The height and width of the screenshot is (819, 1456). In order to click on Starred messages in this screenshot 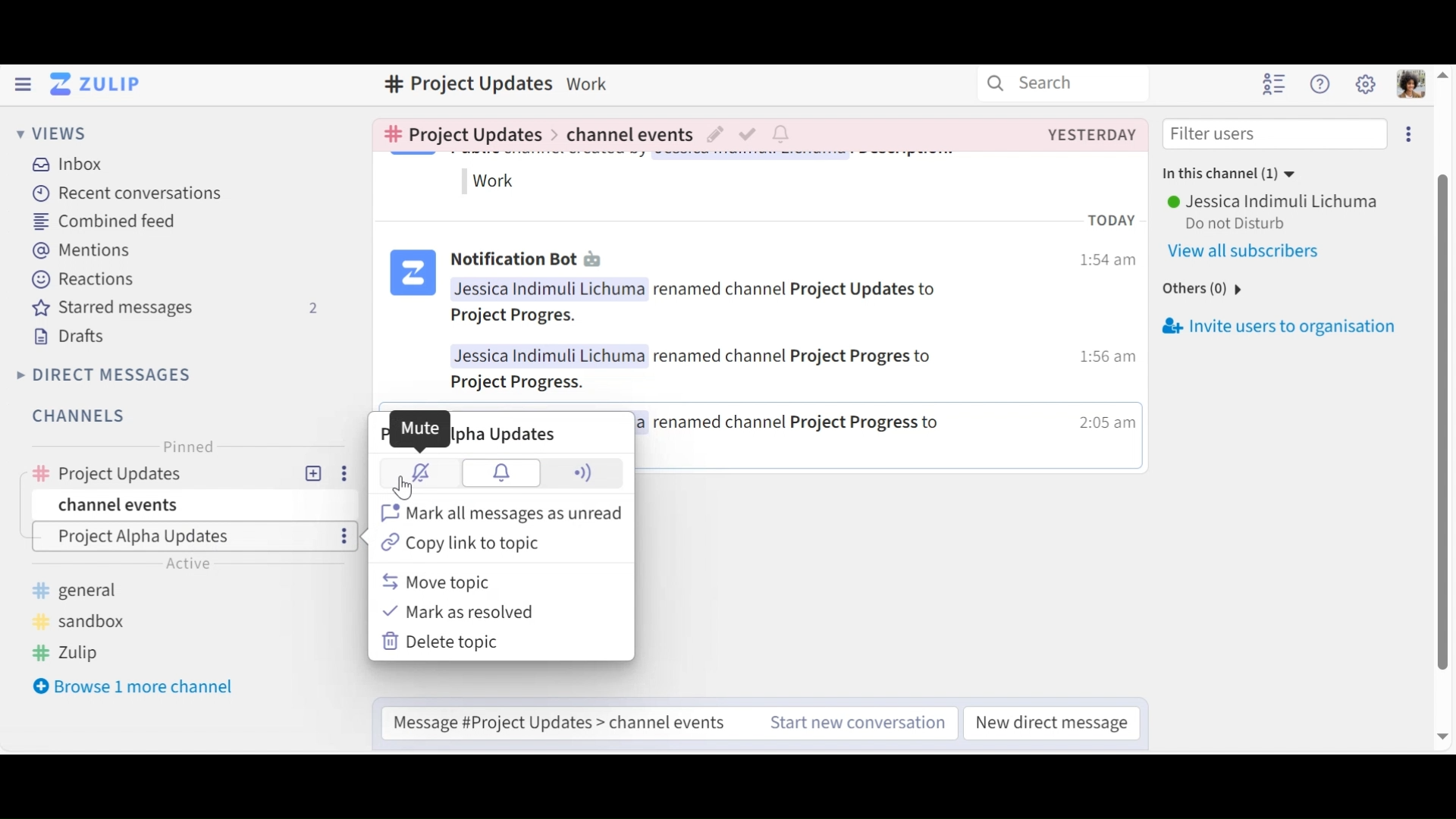, I will do `click(172, 309)`.